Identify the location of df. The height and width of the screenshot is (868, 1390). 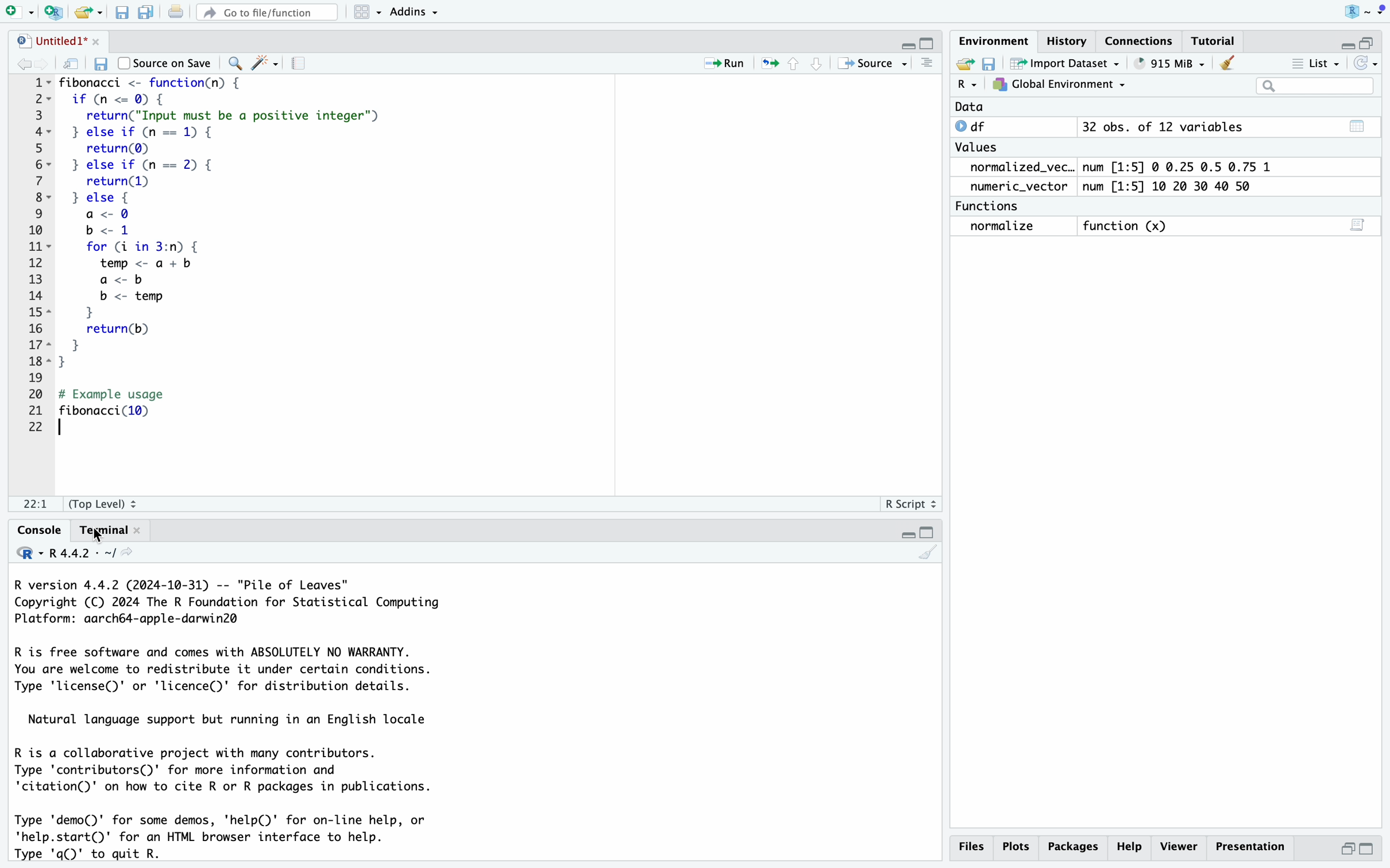
(979, 126).